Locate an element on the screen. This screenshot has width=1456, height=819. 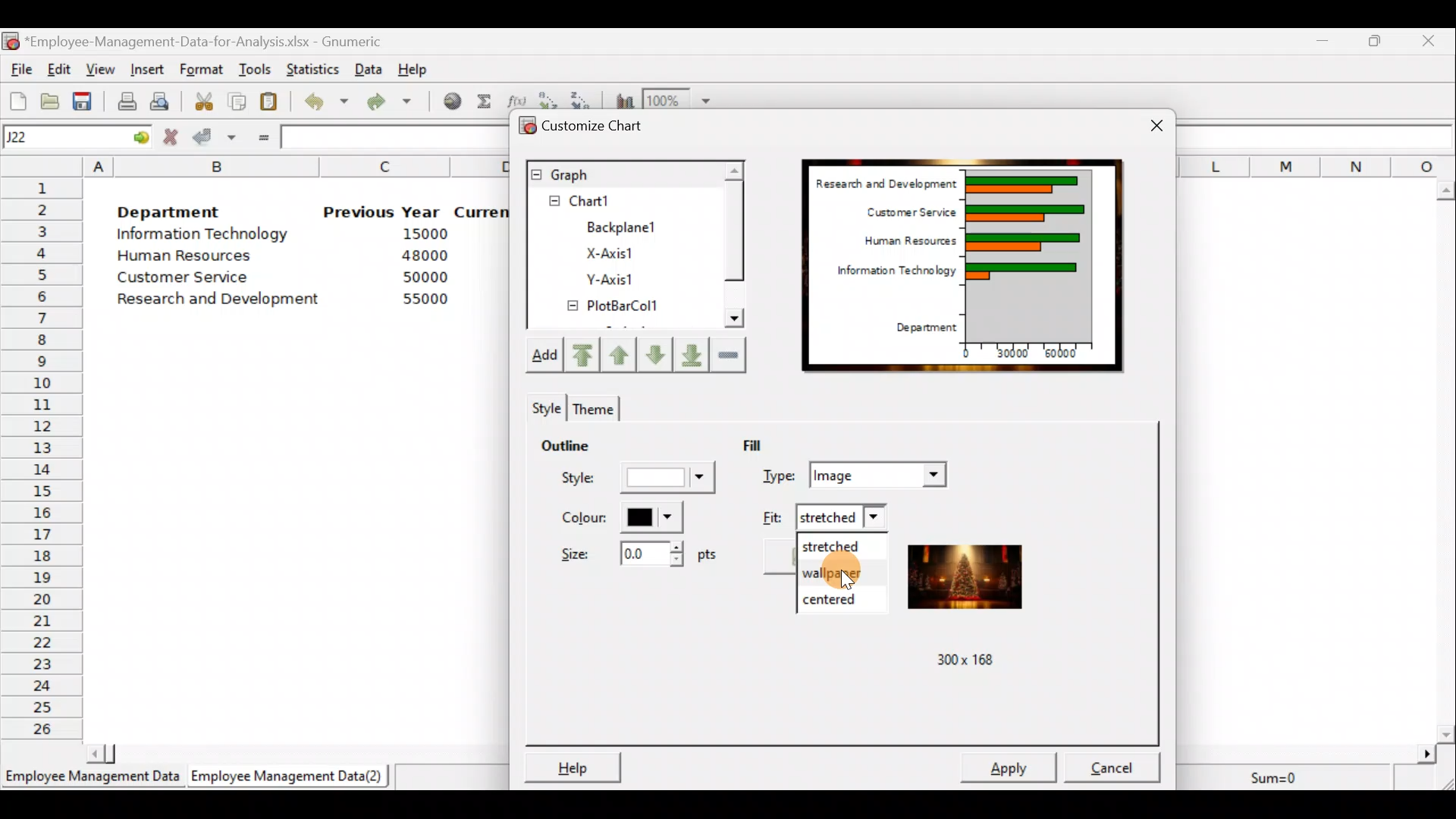
Accept change is located at coordinates (214, 139).